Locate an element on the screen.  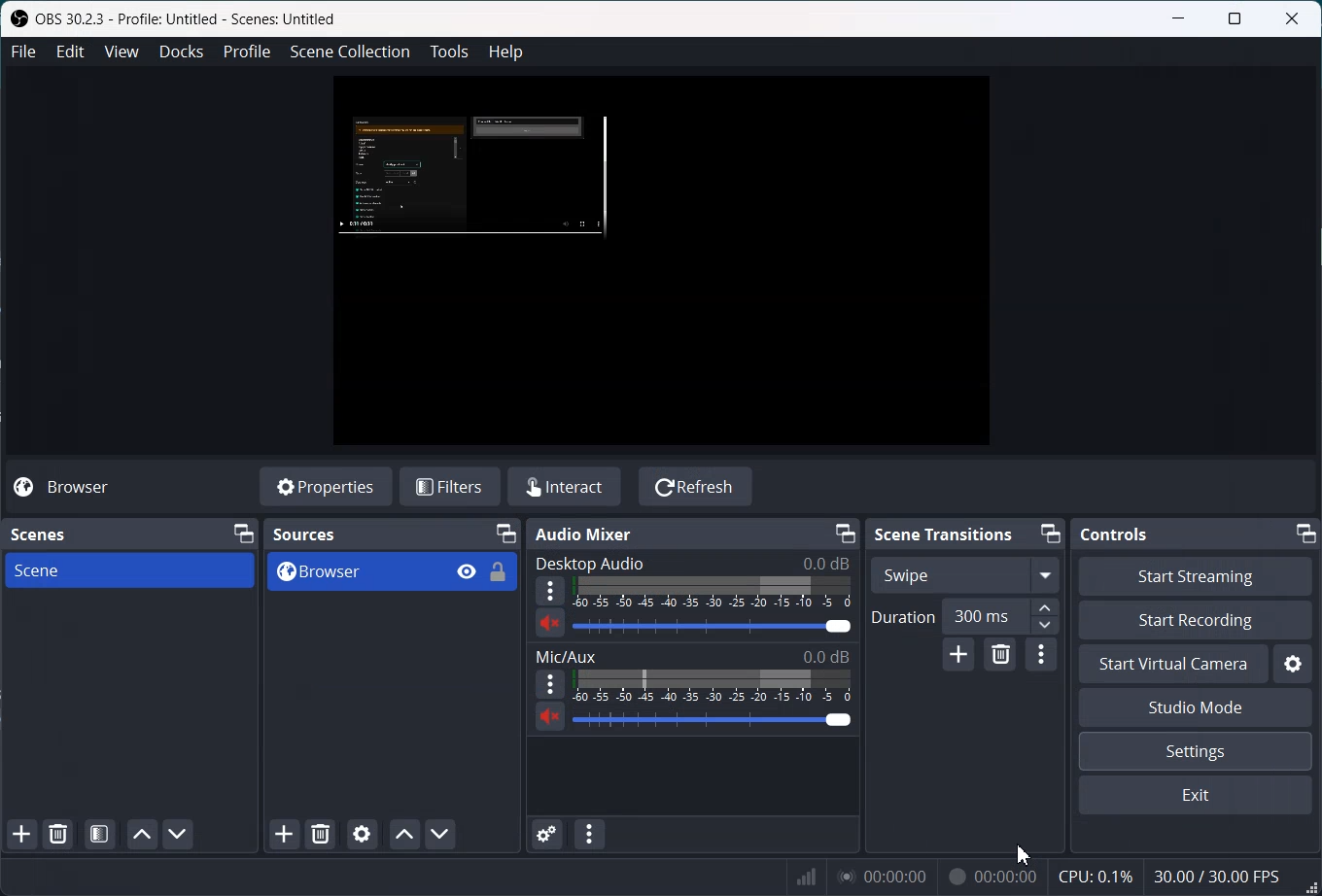
Duration is located at coordinates (903, 614).